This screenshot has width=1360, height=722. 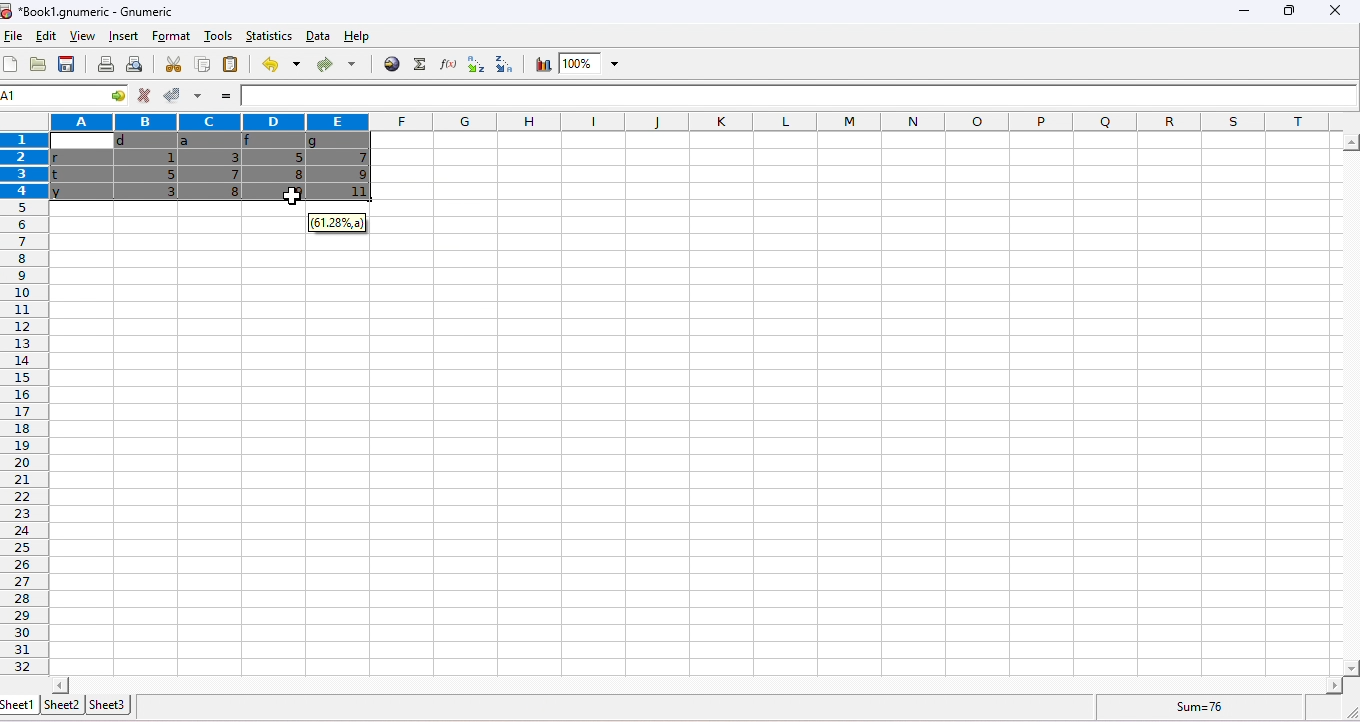 What do you see at coordinates (121, 36) in the screenshot?
I see `insert` at bounding box center [121, 36].